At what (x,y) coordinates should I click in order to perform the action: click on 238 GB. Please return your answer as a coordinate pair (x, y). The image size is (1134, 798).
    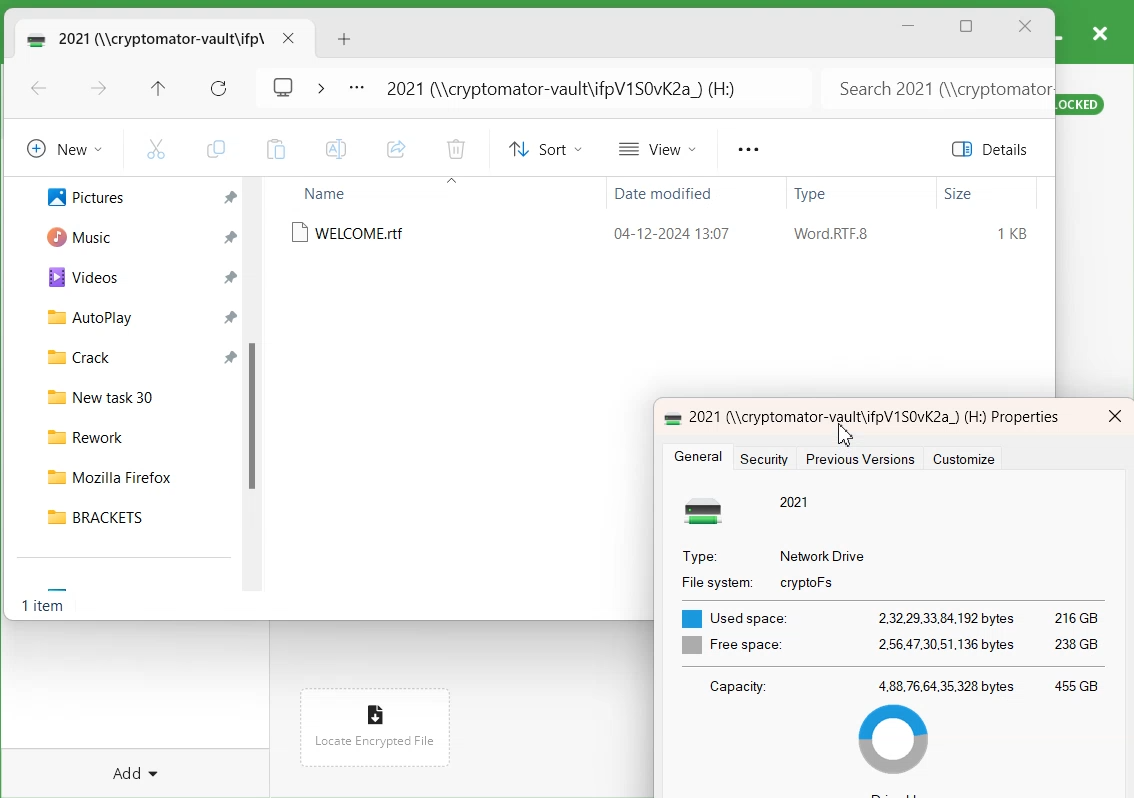
    Looking at the image, I should click on (1080, 641).